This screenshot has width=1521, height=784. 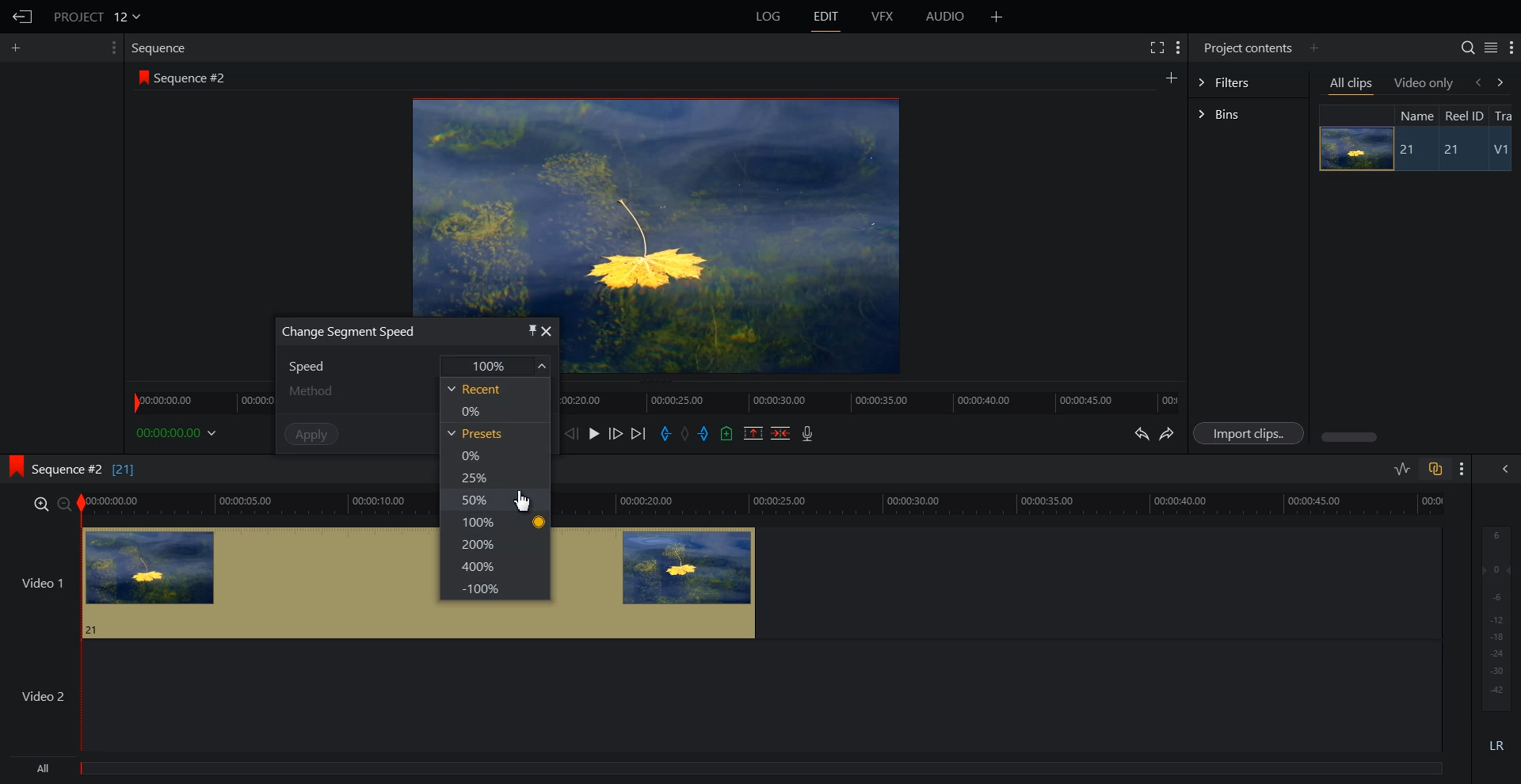 What do you see at coordinates (1503, 151) in the screenshot?
I see `V1` at bounding box center [1503, 151].